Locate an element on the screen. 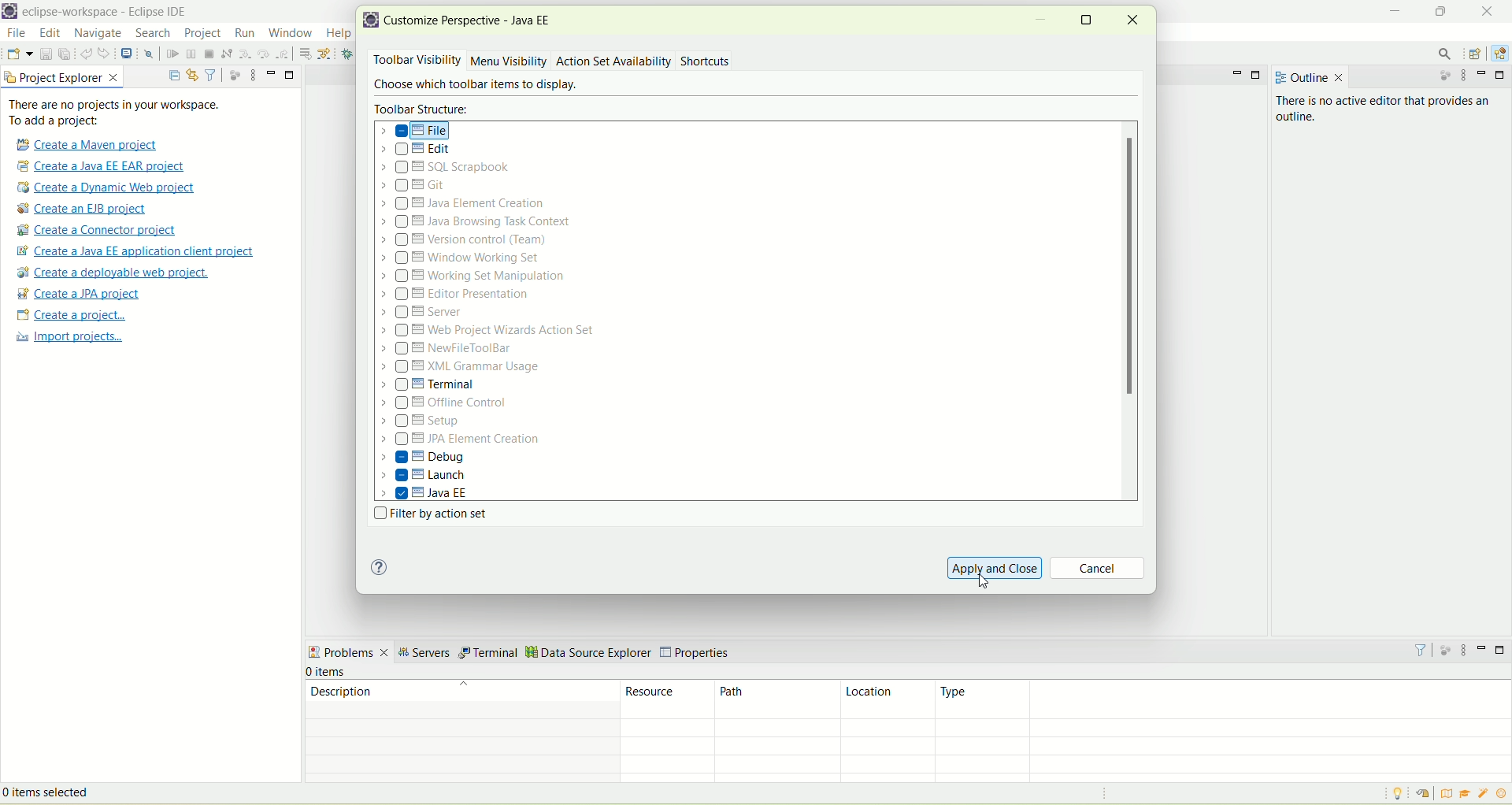 This screenshot has width=1512, height=805. open a terminal is located at coordinates (126, 54).